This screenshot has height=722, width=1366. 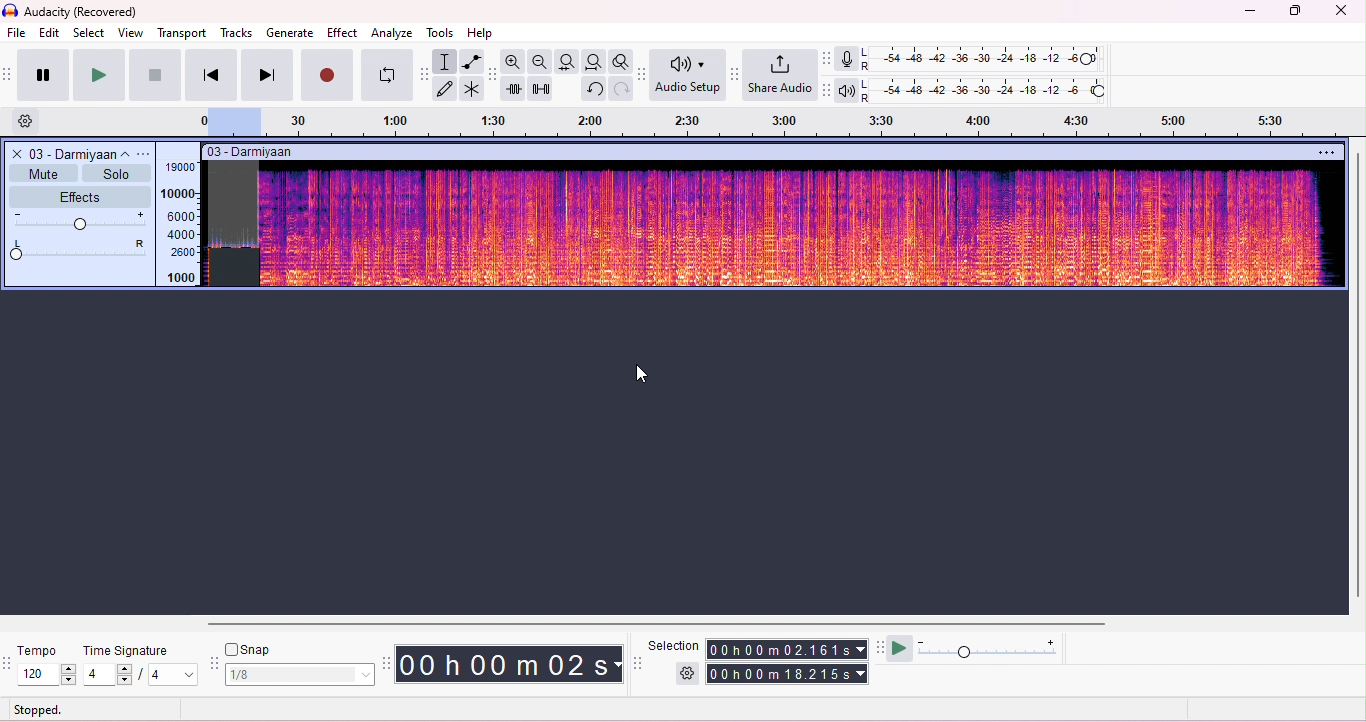 What do you see at coordinates (91, 34) in the screenshot?
I see `select` at bounding box center [91, 34].